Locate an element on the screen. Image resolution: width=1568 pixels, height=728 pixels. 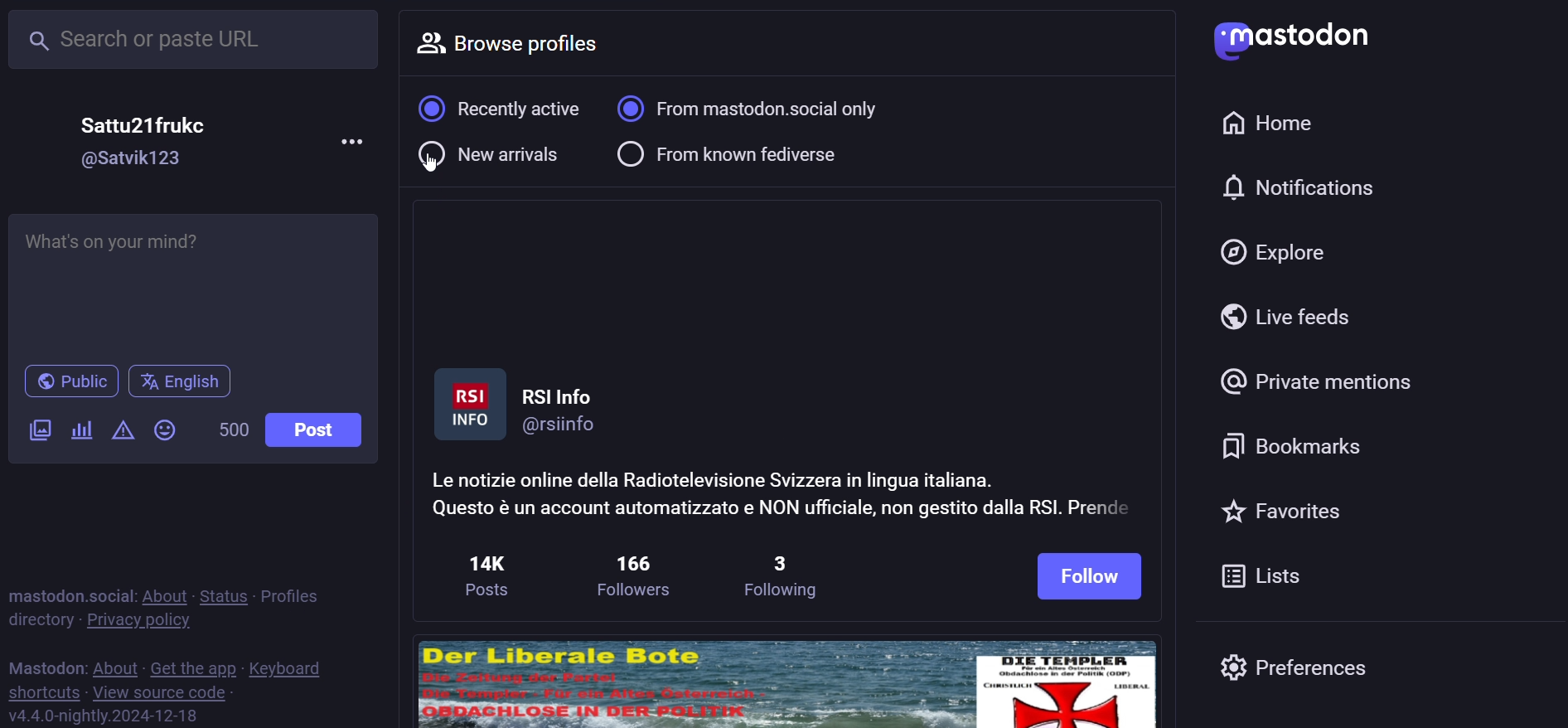
about is located at coordinates (115, 667).